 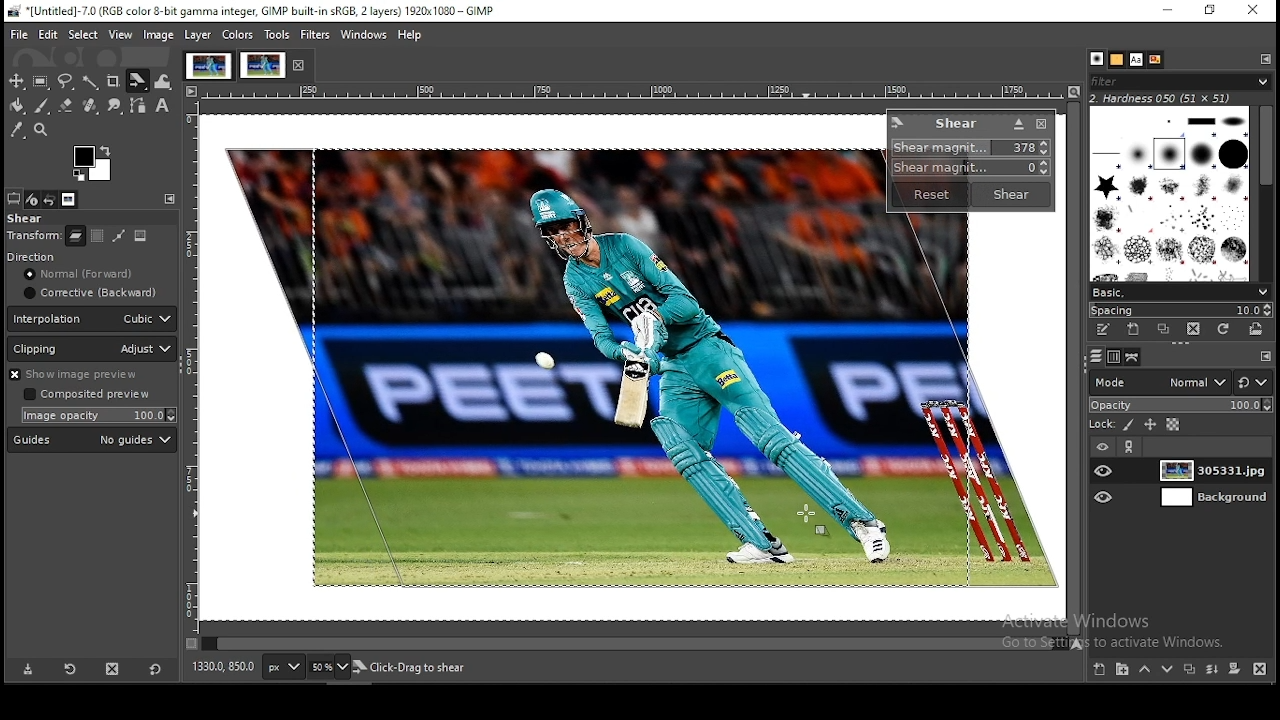 I want to click on refresh brushes, so click(x=1224, y=330).